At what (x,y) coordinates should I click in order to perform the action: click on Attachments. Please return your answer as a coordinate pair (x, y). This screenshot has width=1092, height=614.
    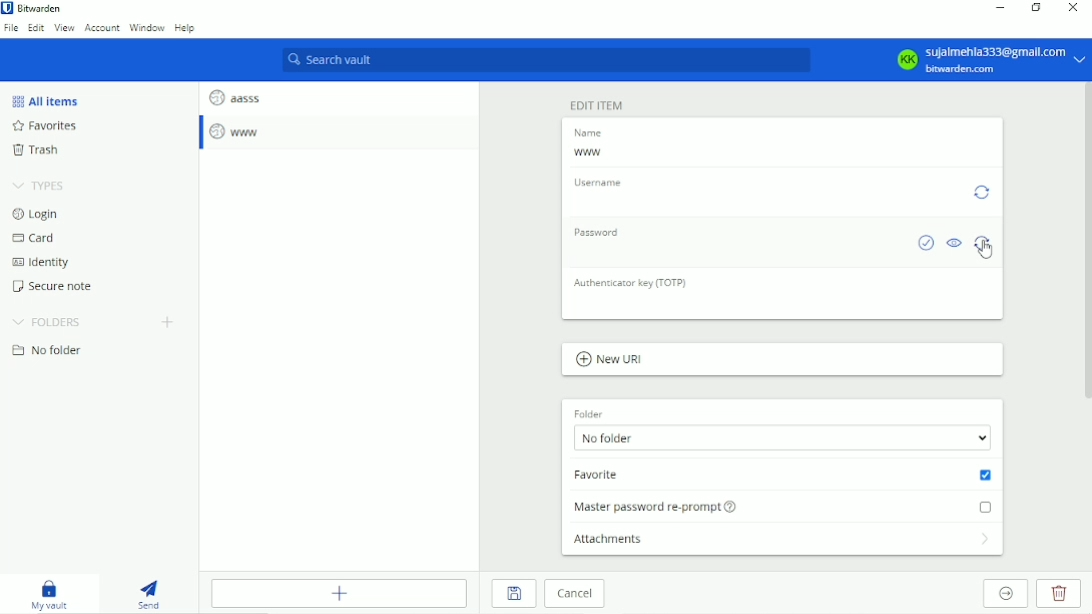
    Looking at the image, I should click on (784, 543).